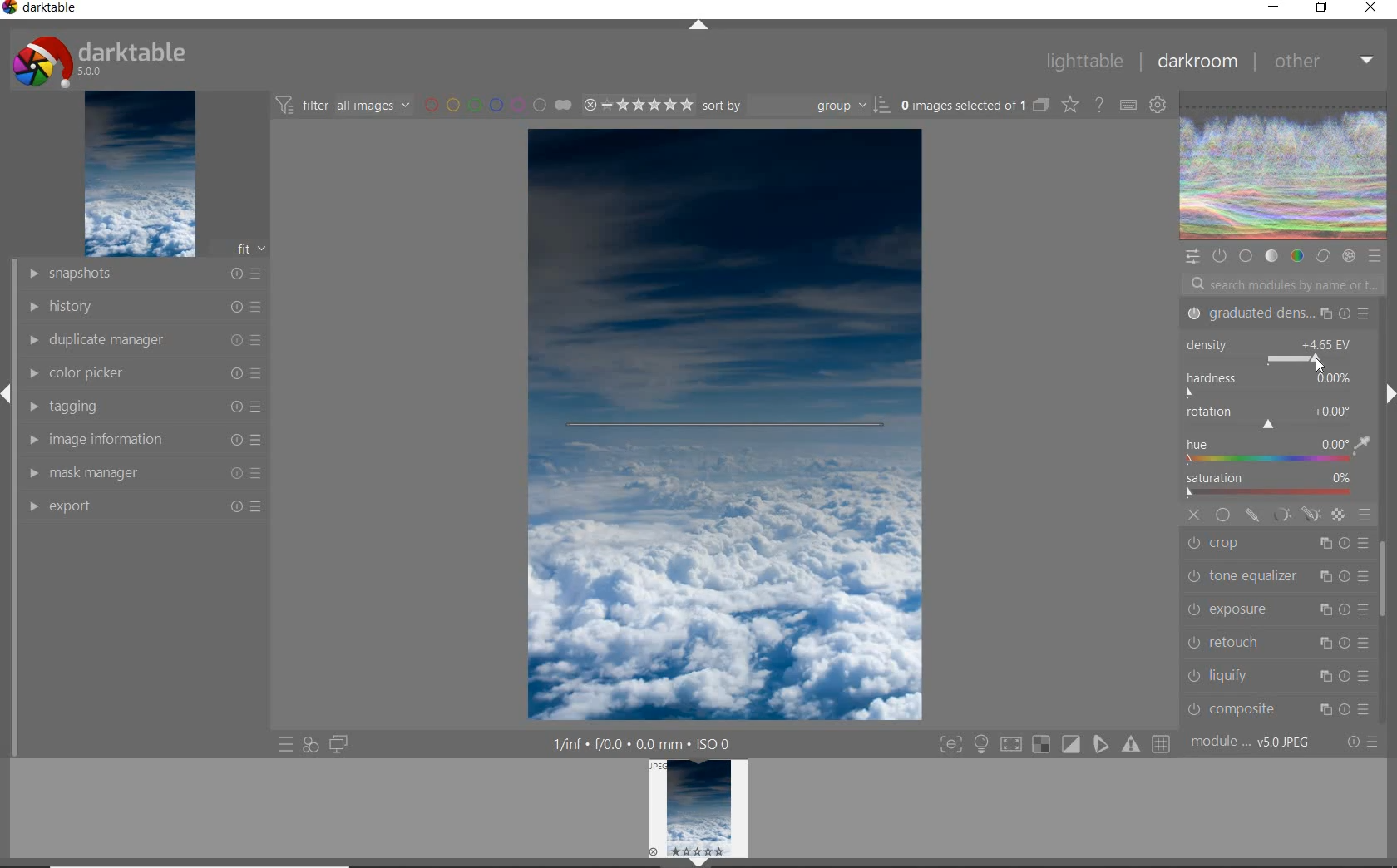 This screenshot has height=868, width=1397. Describe the element at coordinates (1281, 674) in the screenshot. I see `liquify` at that location.